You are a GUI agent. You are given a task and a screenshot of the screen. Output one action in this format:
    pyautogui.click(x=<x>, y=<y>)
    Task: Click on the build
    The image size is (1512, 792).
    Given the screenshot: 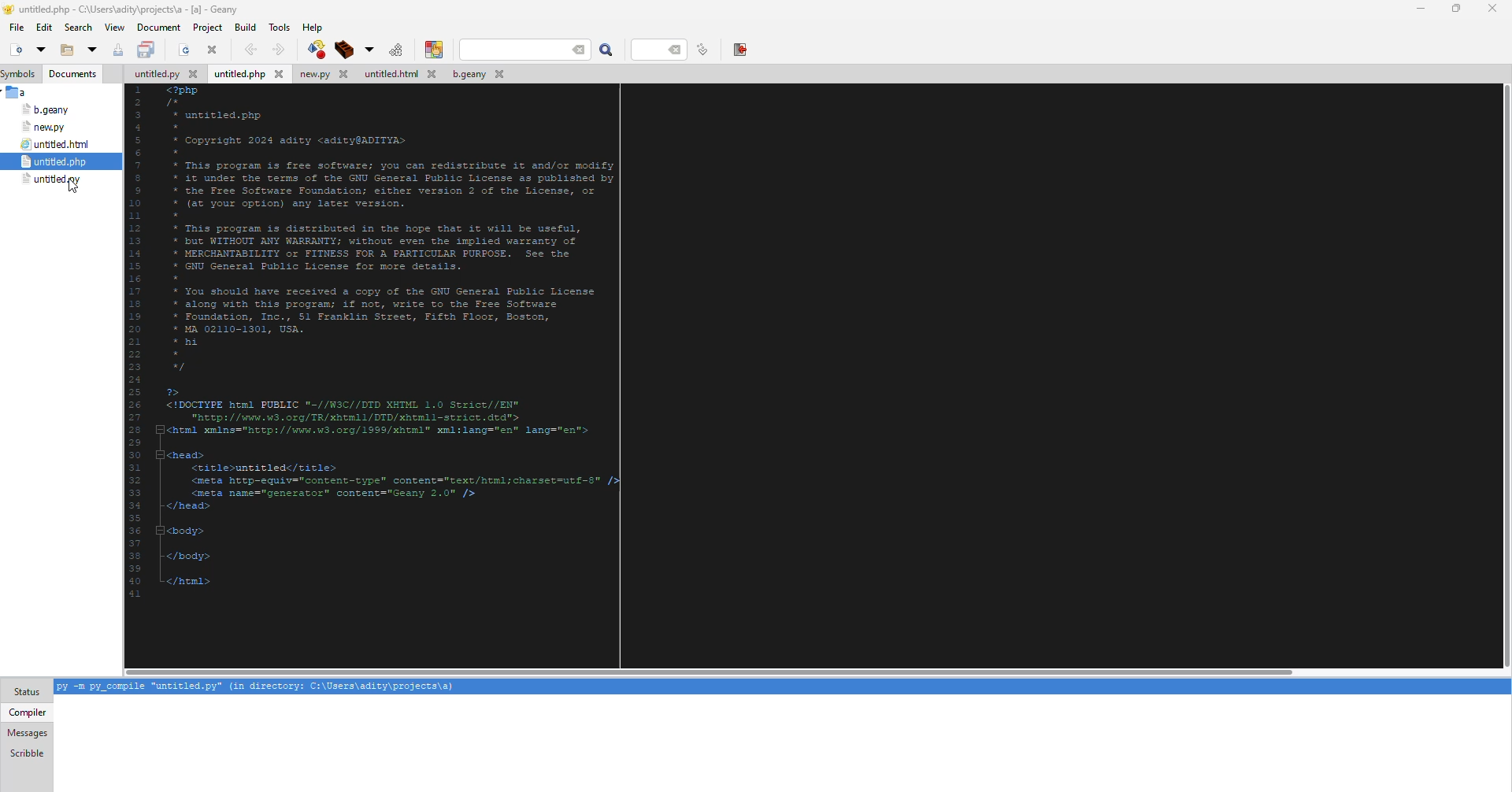 What is the action you would take?
    pyautogui.click(x=313, y=50)
    